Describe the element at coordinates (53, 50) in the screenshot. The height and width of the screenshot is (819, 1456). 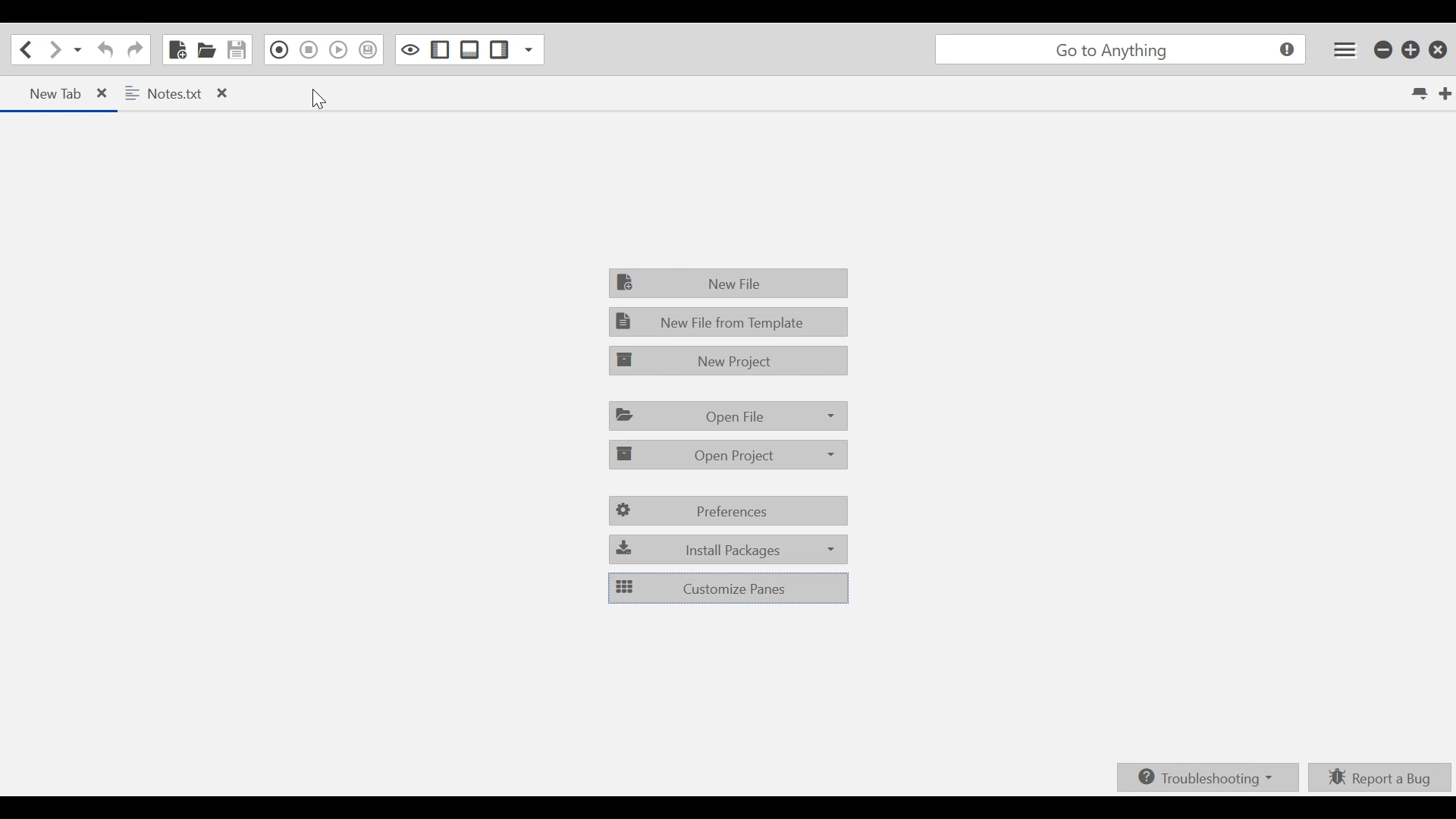
I see `Click to go forward one location` at that location.